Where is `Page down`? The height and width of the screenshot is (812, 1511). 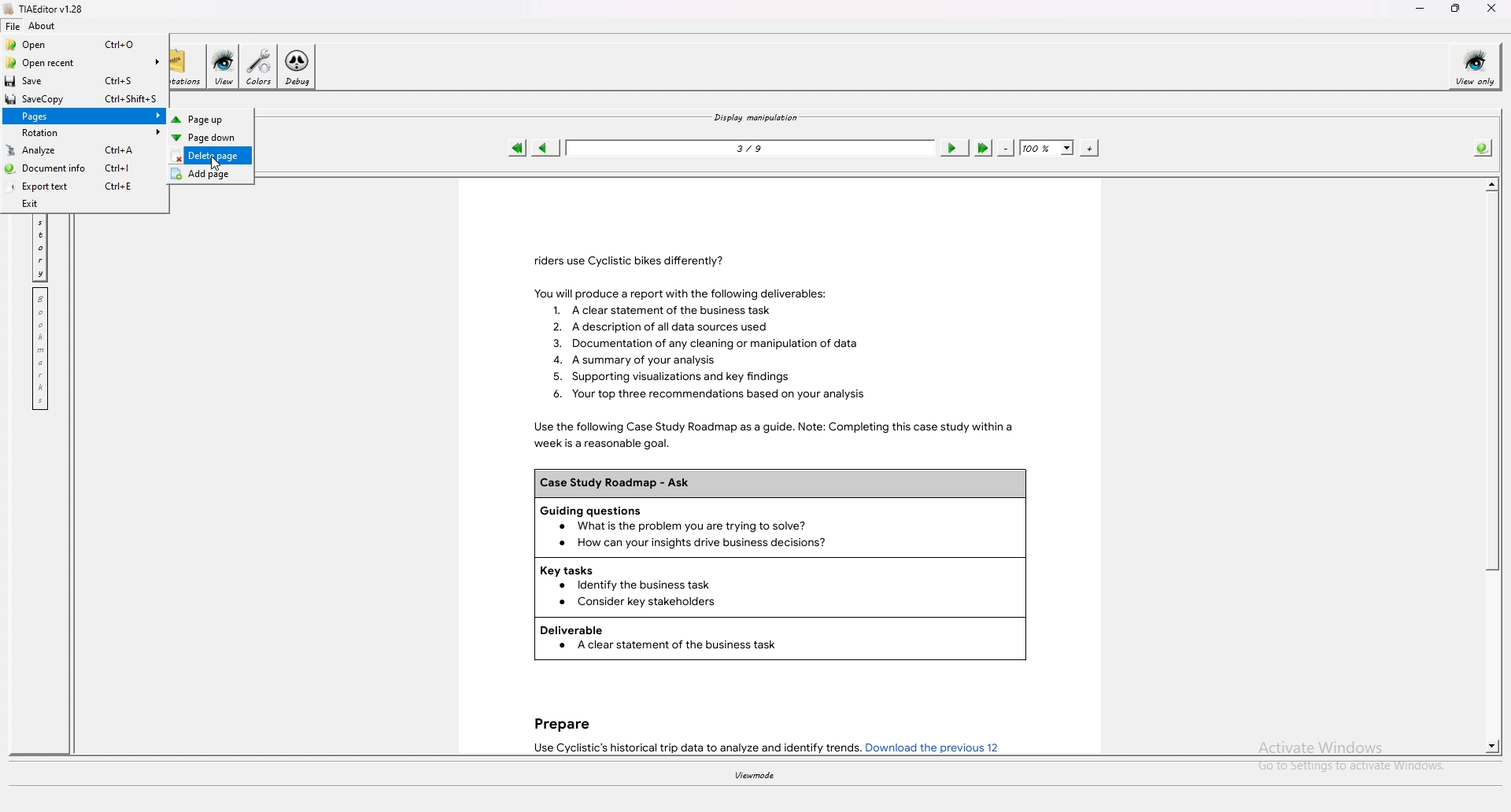
Page down is located at coordinates (206, 138).